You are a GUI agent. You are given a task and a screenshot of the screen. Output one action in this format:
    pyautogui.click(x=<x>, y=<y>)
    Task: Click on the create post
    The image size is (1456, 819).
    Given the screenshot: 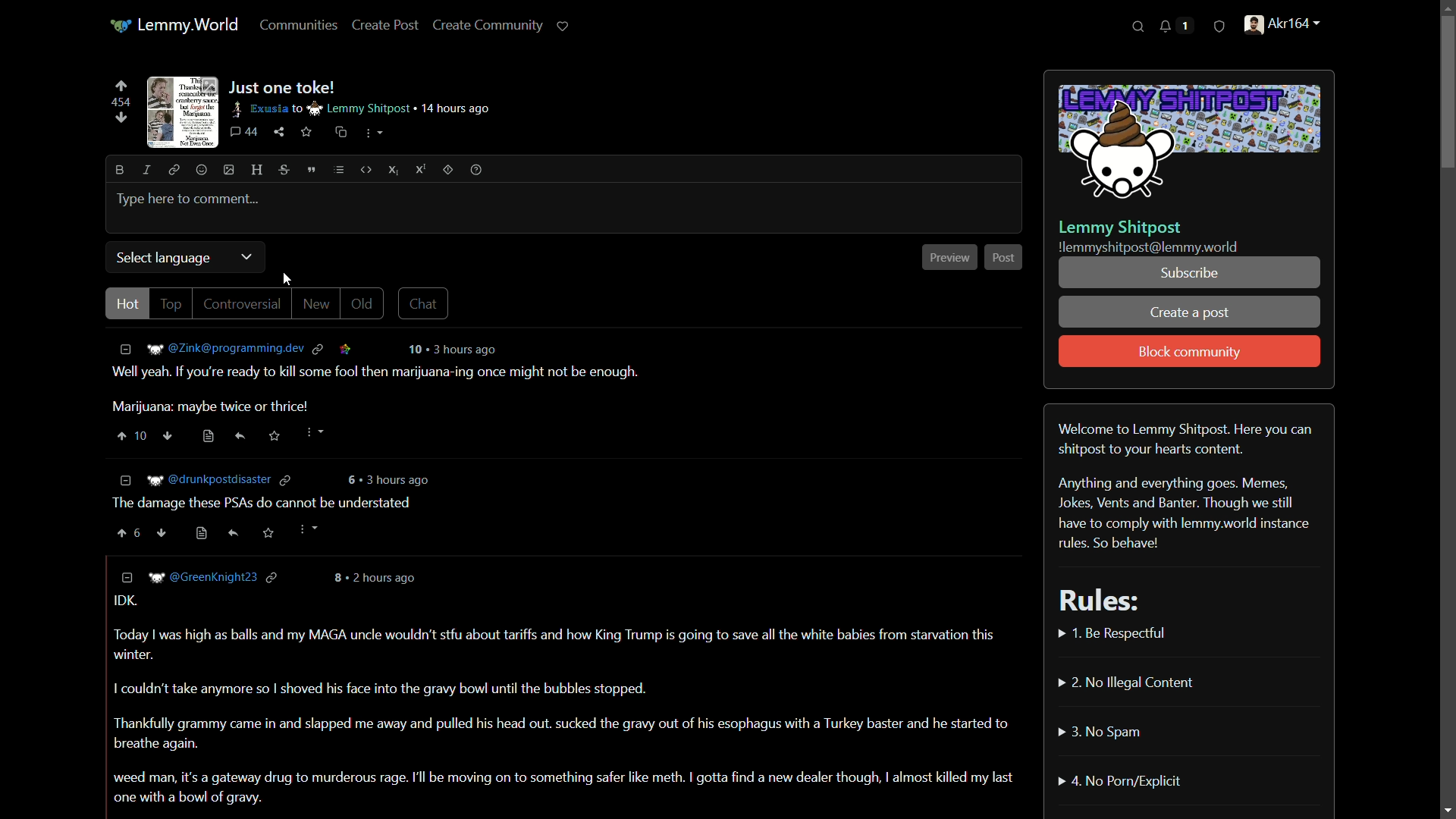 What is the action you would take?
    pyautogui.click(x=385, y=25)
    